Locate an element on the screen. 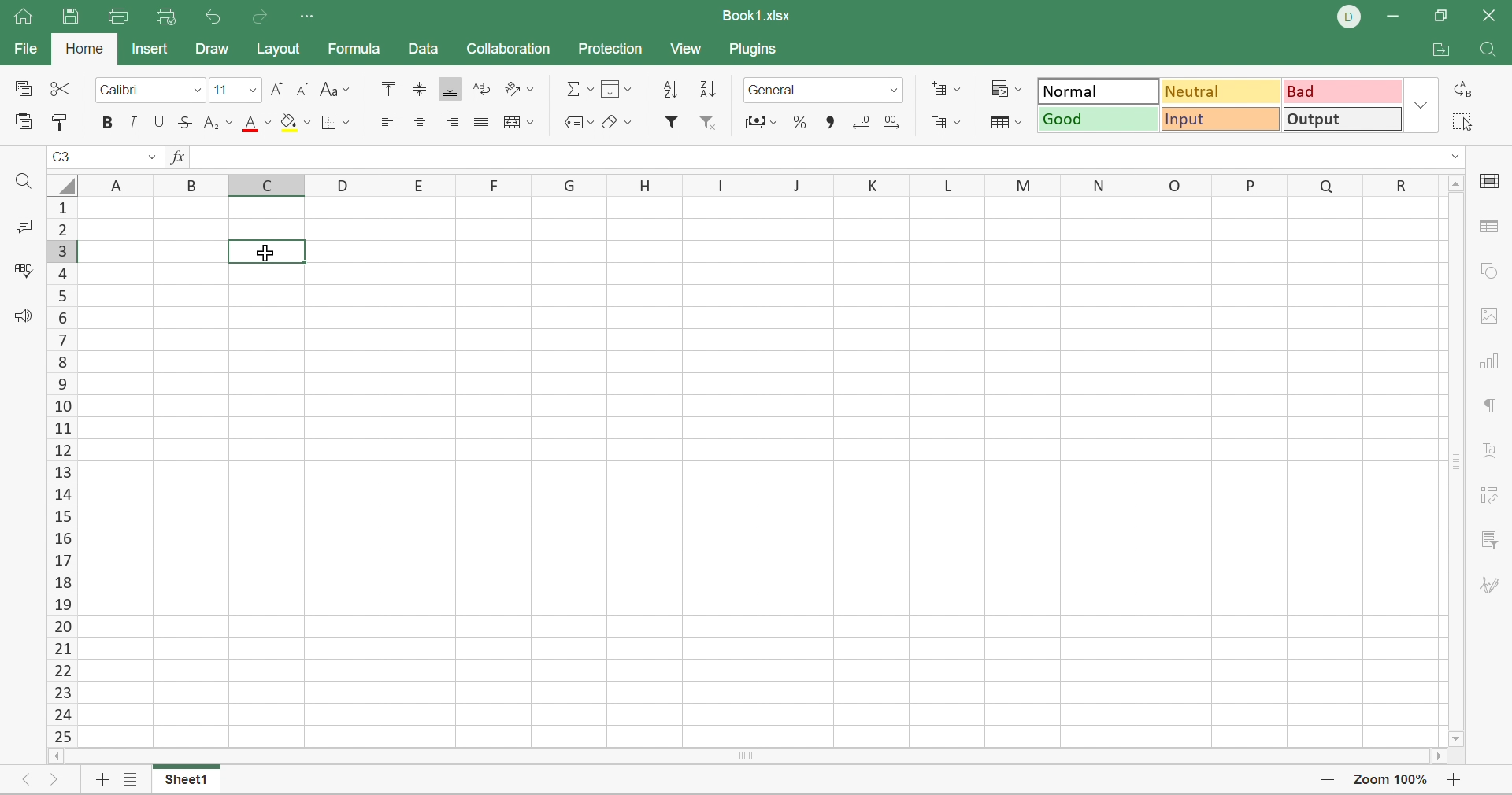 Image resolution: width=1512 pixels, height=795 pixels. Summation is located at coordinates (576, 87).